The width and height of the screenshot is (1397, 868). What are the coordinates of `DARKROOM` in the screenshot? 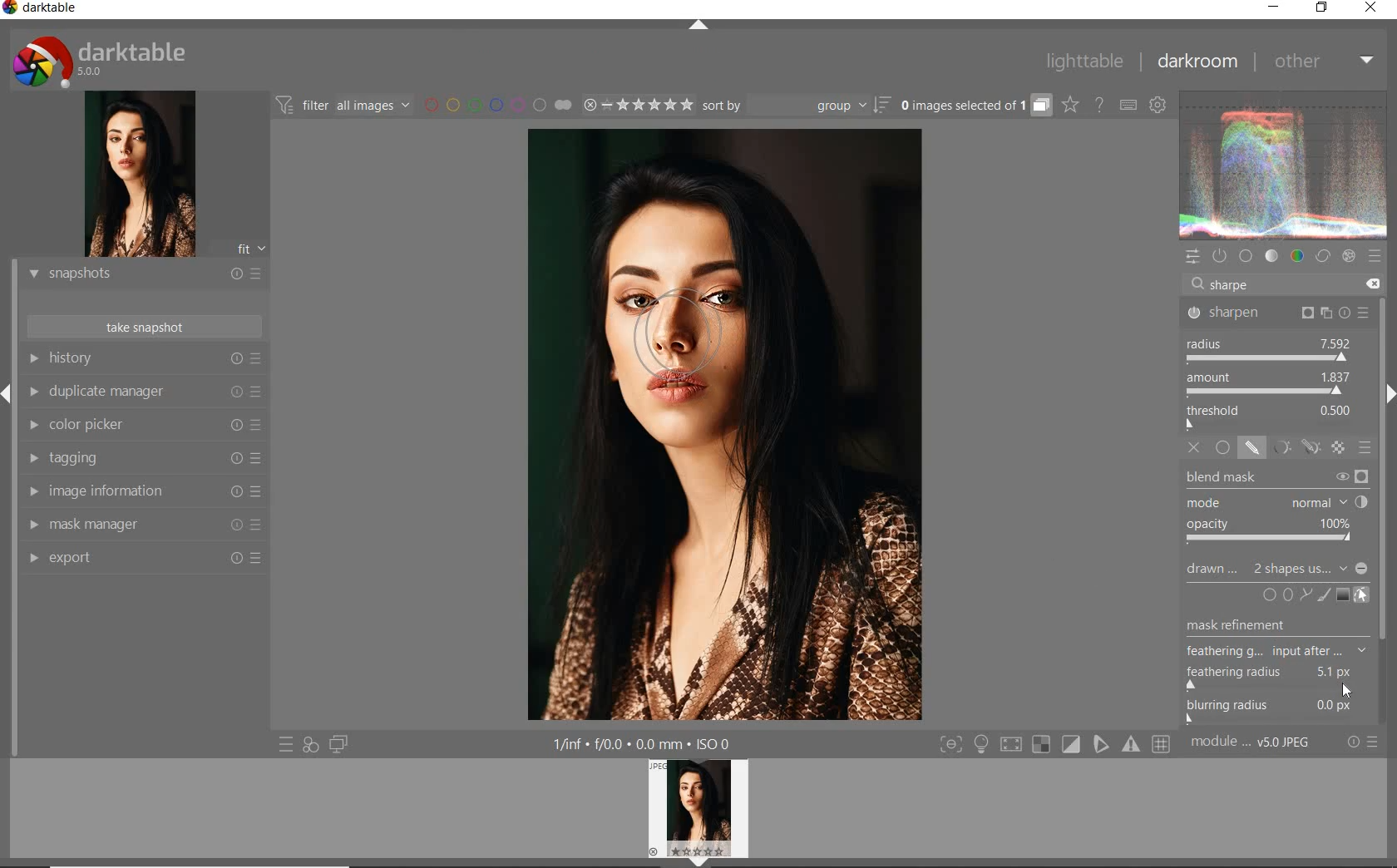 It's located at (1197, 62).